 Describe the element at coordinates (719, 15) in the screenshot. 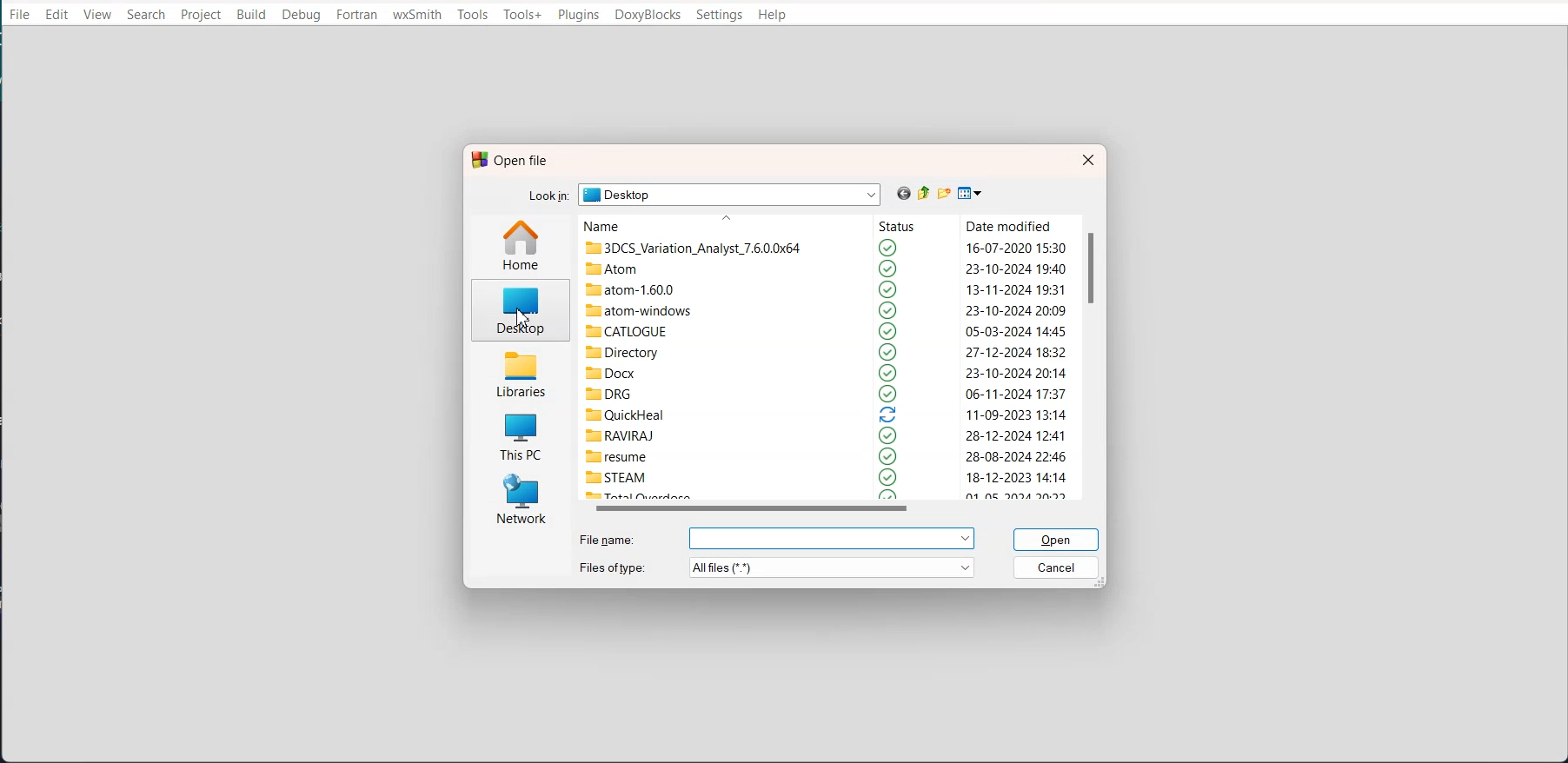

I see `Settings` at that location.